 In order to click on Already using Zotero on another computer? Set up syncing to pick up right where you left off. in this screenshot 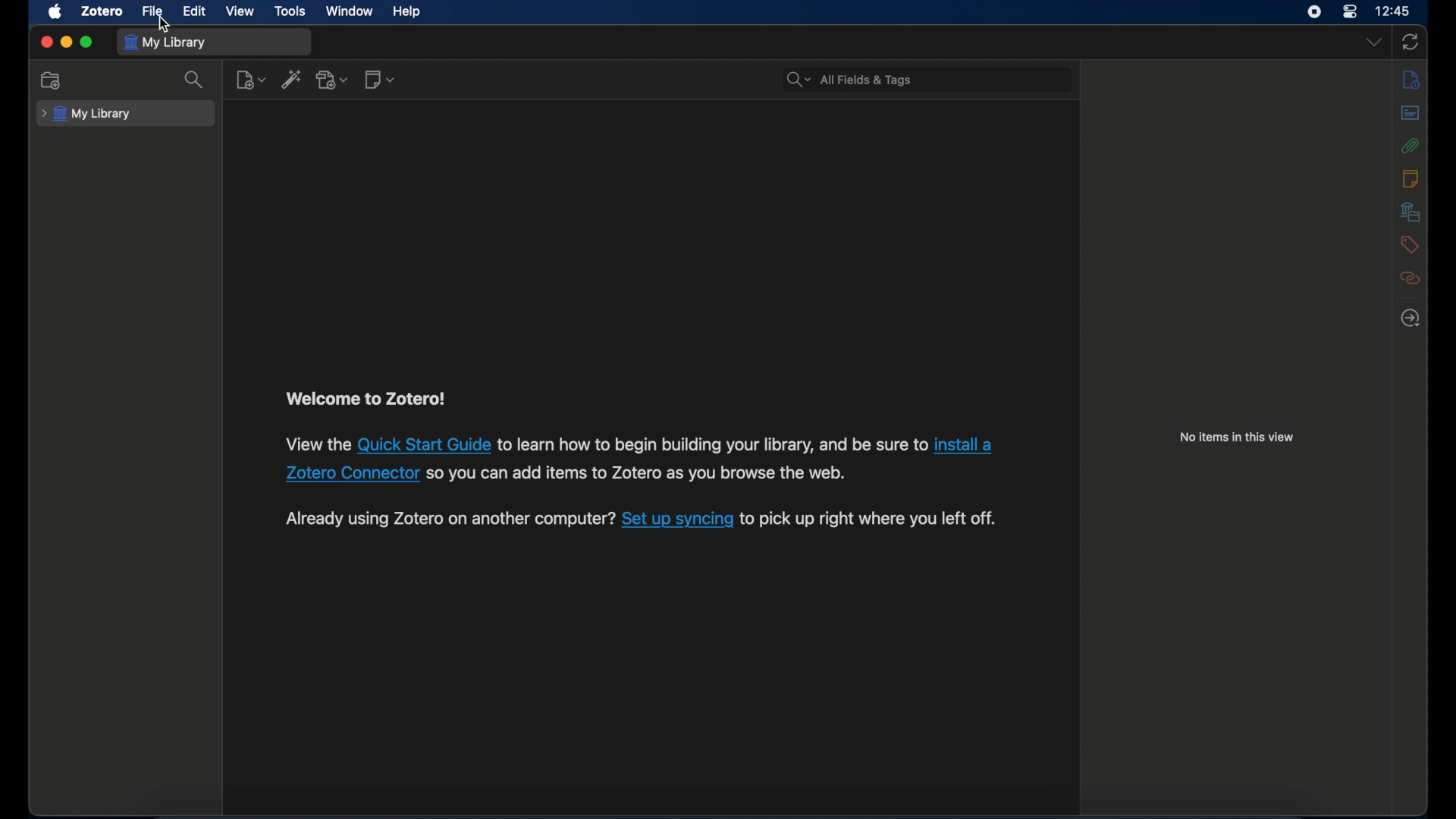, I will do `click(645, 520)`.